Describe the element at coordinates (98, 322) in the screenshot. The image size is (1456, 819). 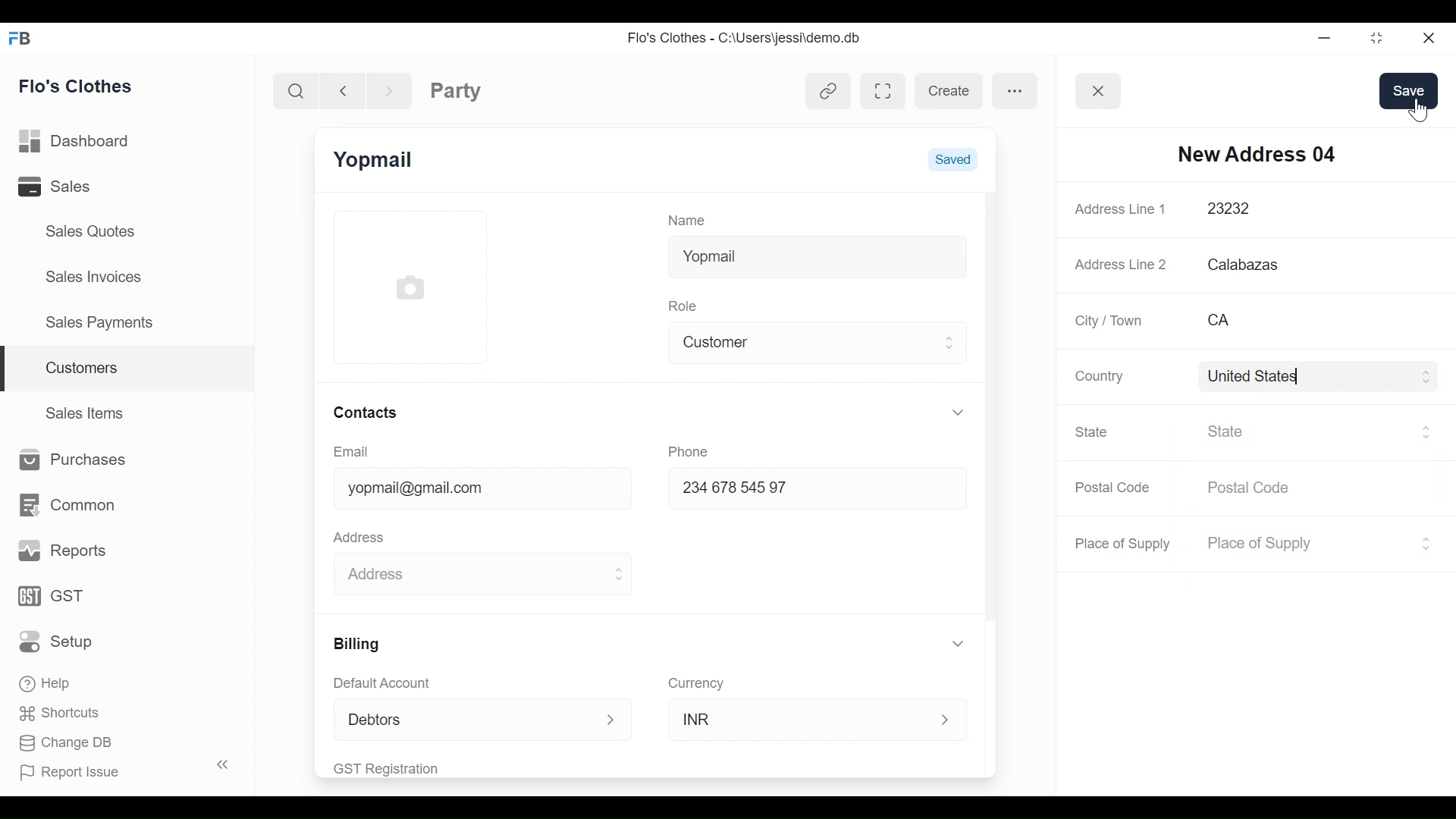
I see `Sales Payments` at that location.